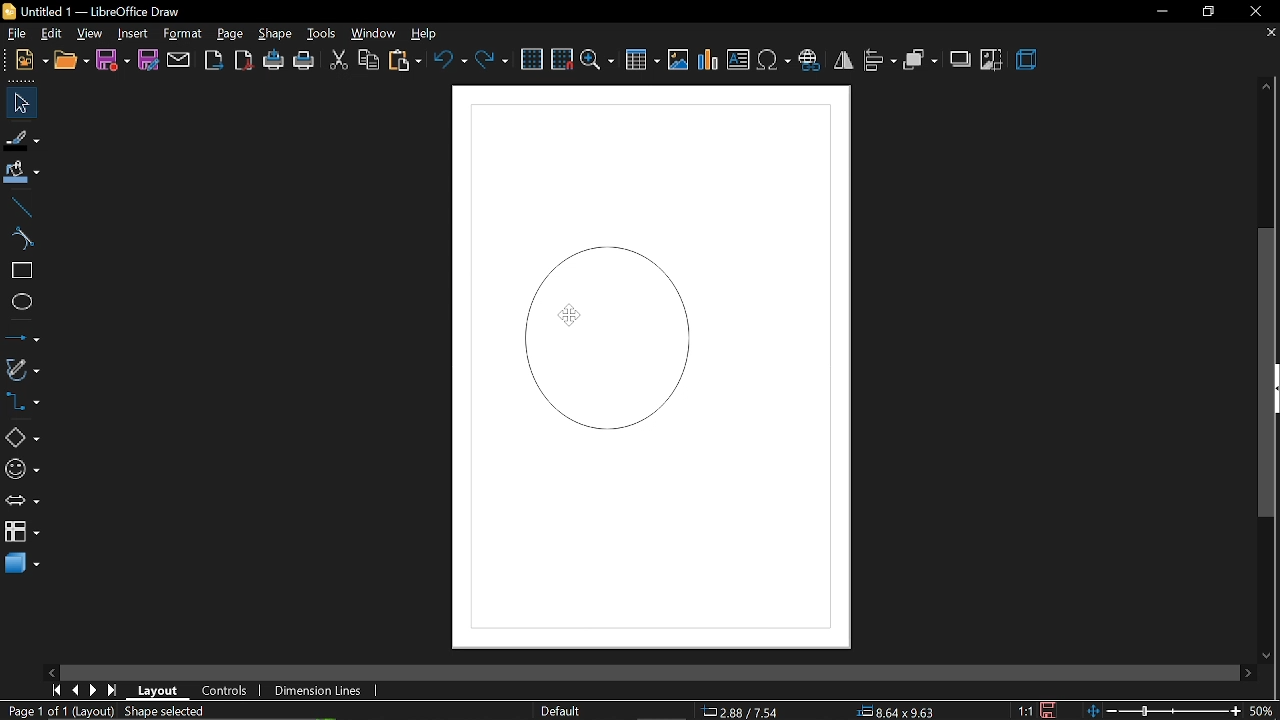 The width and height of the screenshot is (1280, 720). I want to click on lines and arrows, so click(24, 336).